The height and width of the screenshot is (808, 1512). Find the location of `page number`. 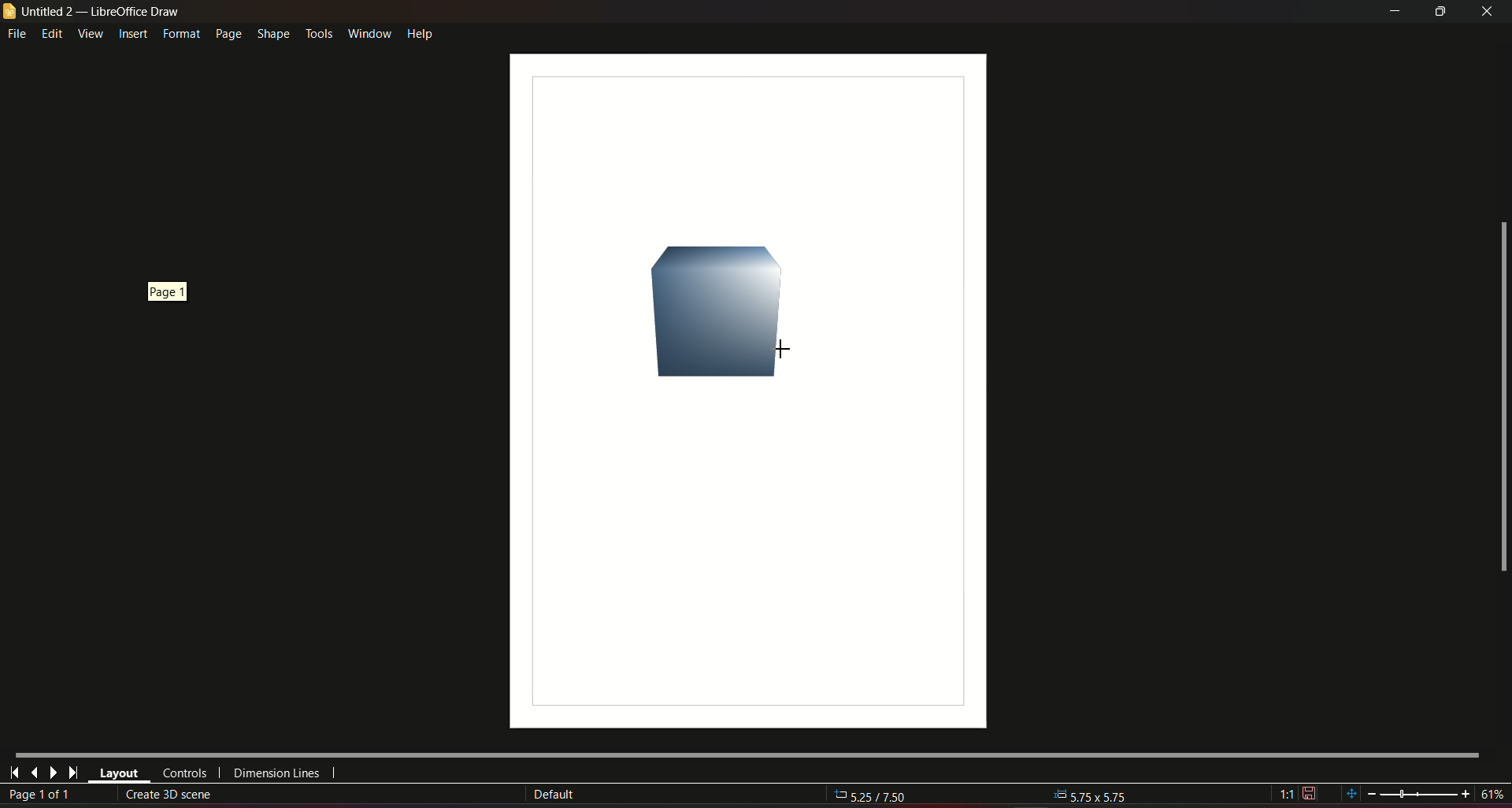

page number is located at coordinates (43, 795).